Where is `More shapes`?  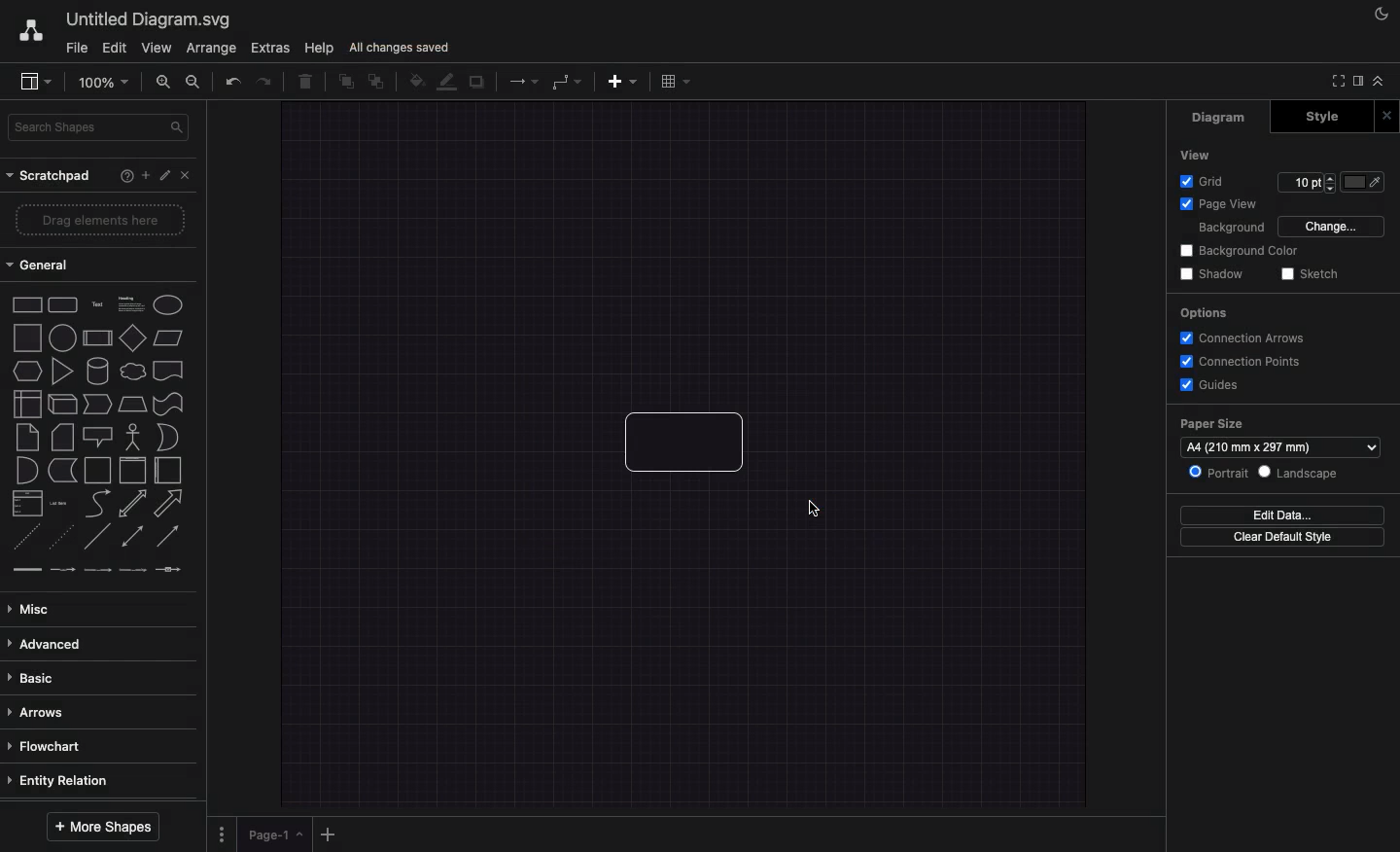
More shapes is located at coordinates (102, 826).